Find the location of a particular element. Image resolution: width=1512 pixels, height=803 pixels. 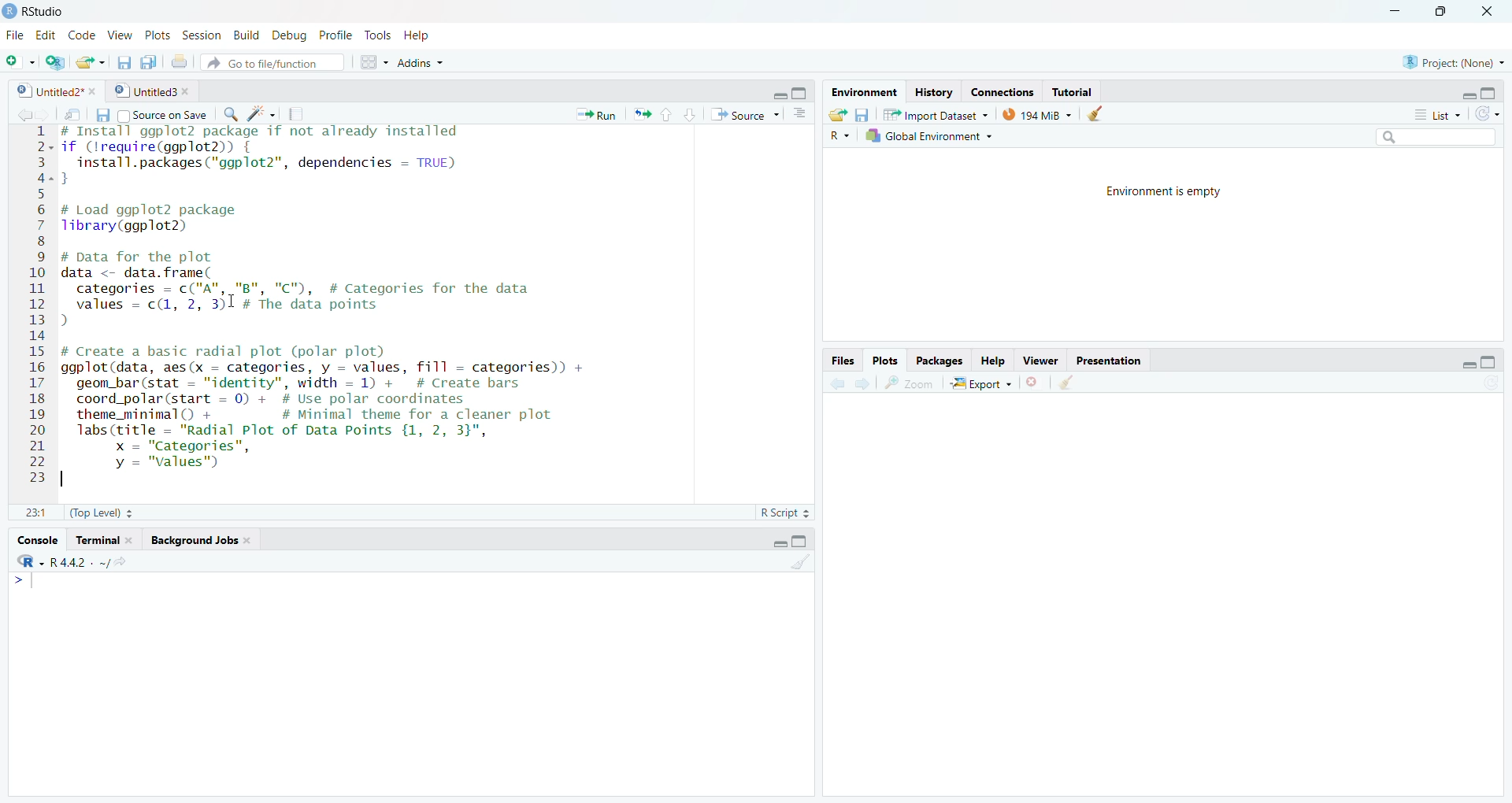

cleaner is located at coordinates (1067, 383).